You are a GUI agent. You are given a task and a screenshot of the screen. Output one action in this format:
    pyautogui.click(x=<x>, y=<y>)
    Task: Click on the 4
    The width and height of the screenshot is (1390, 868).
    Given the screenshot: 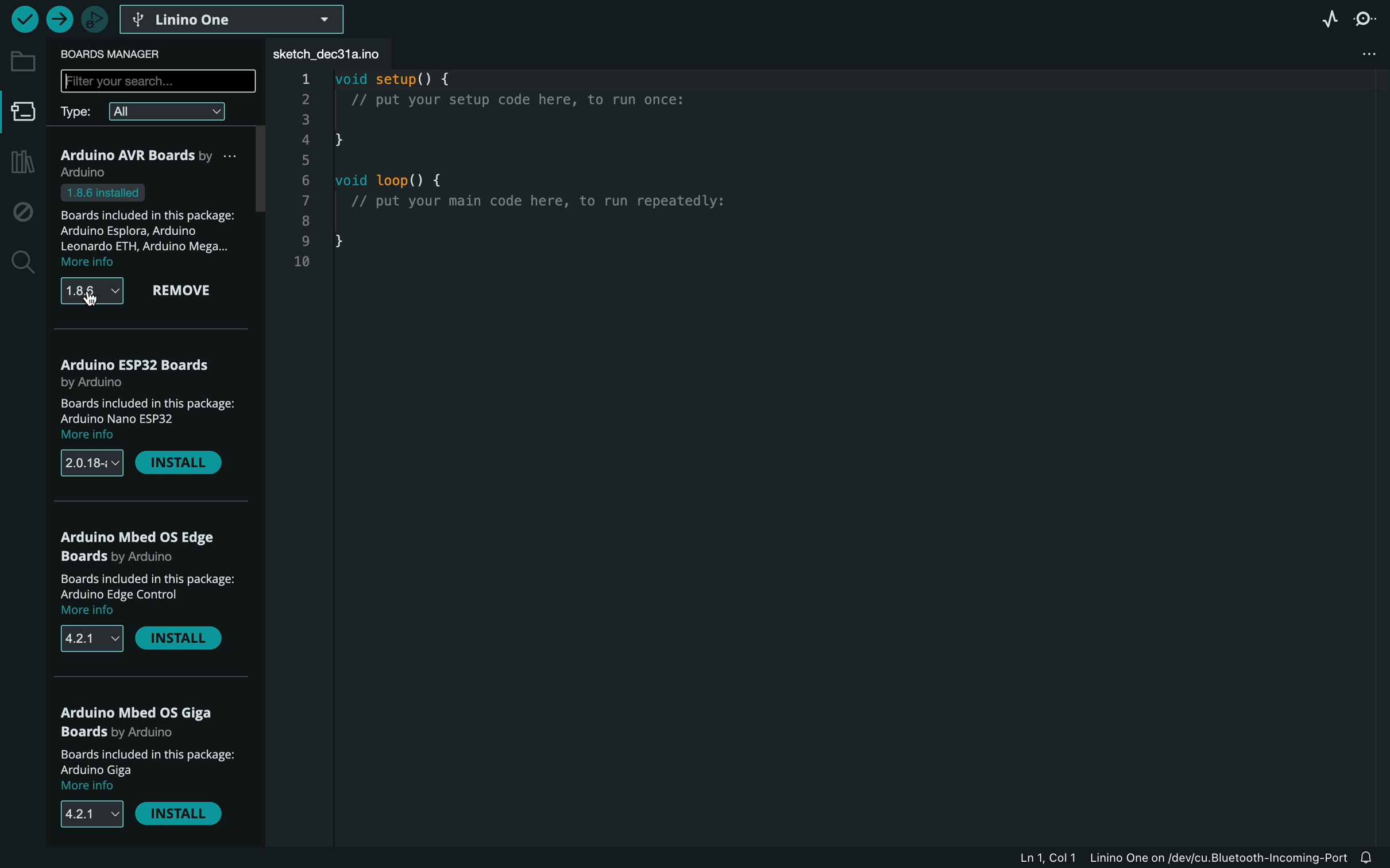 What is the action you would take?
    pyautogui.click(x=306, y=140)
    